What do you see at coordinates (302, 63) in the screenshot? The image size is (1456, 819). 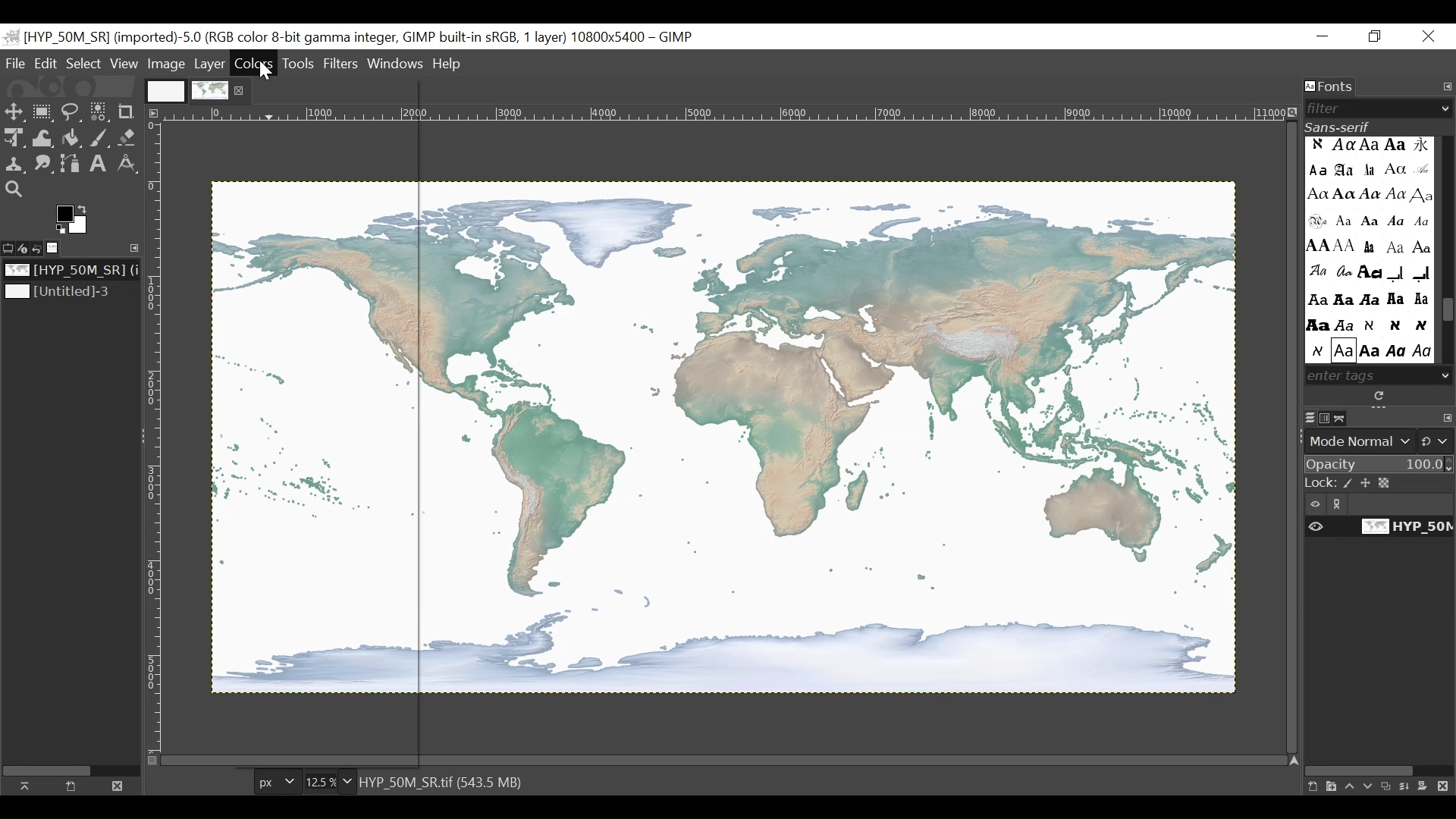 I see `Tools` at bounding box center [302, 63].